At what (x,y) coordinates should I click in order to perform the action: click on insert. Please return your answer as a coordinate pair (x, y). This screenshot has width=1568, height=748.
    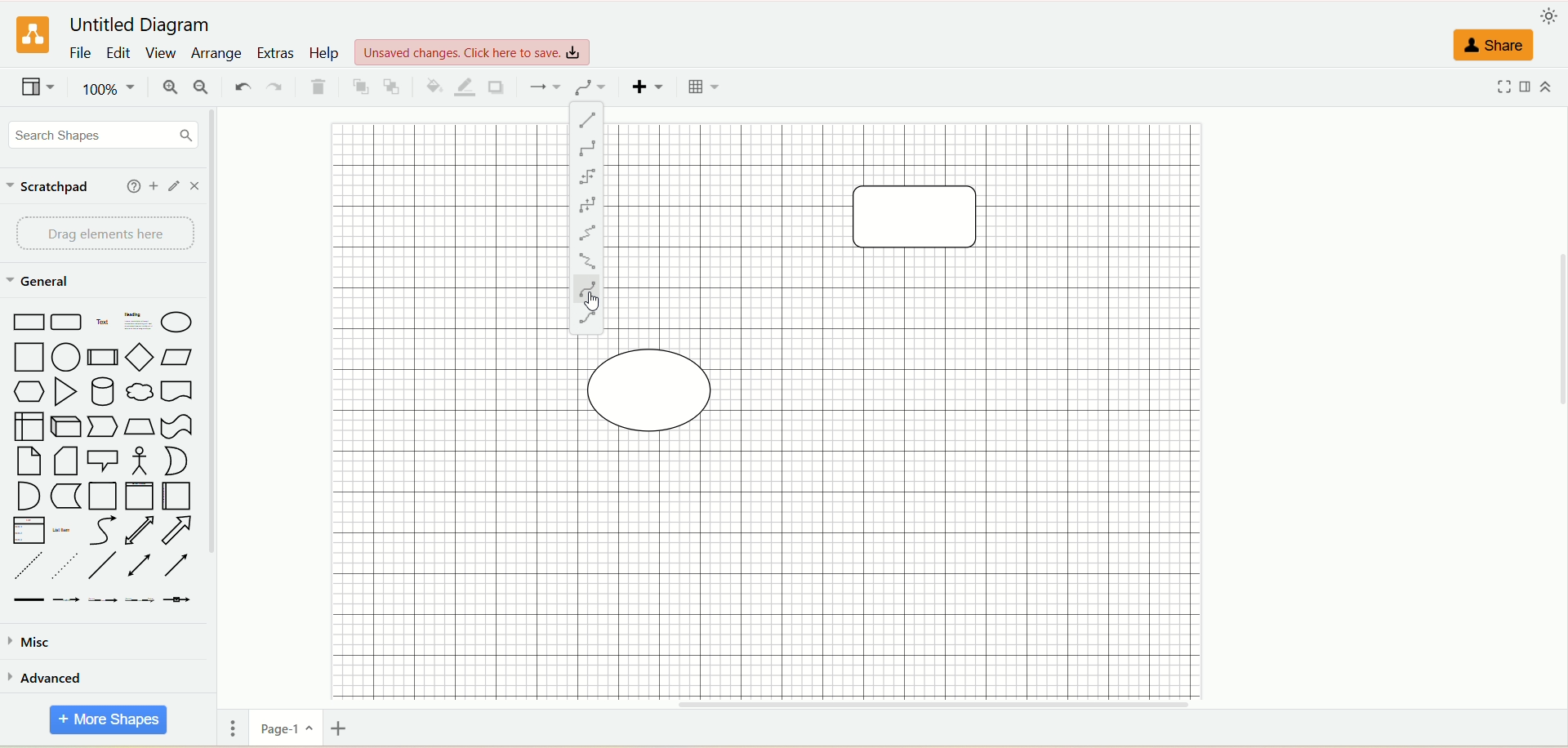
    Looking at the image, I should click on (645, 87).